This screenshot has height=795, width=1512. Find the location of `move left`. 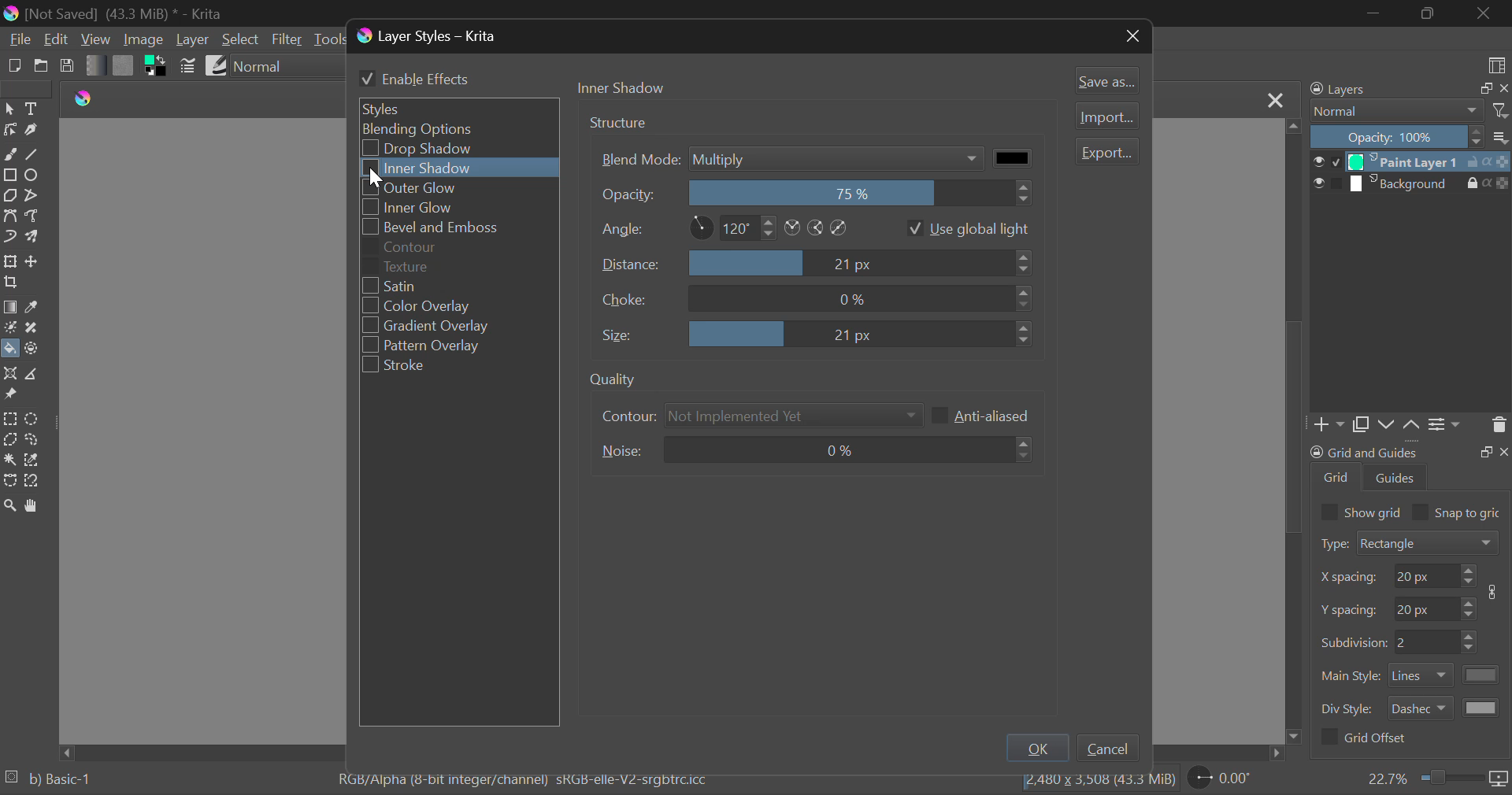

move left is located at coordinates (65, 753).